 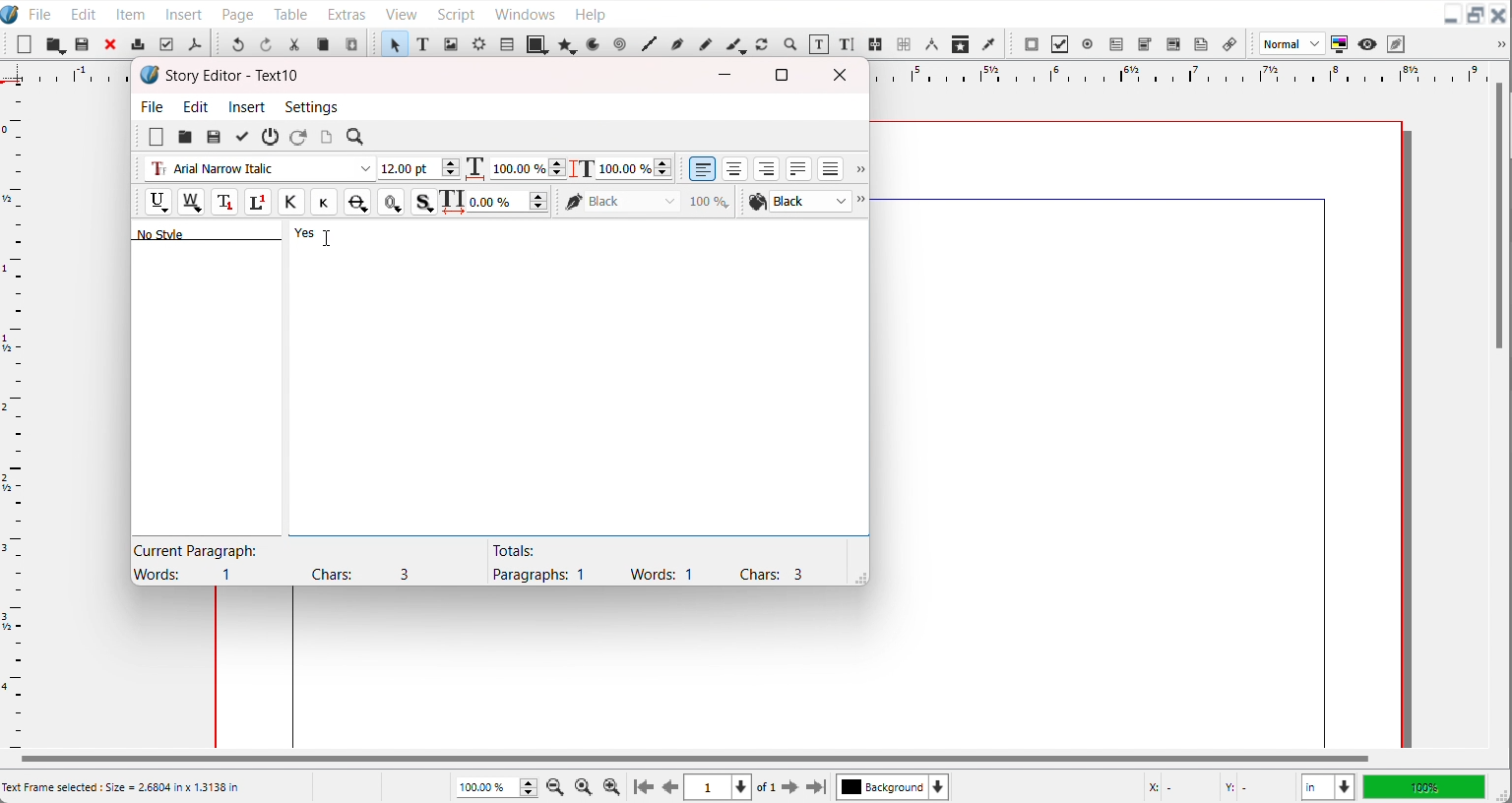 I want to click on Freehand line, so click(x=704, y=43).